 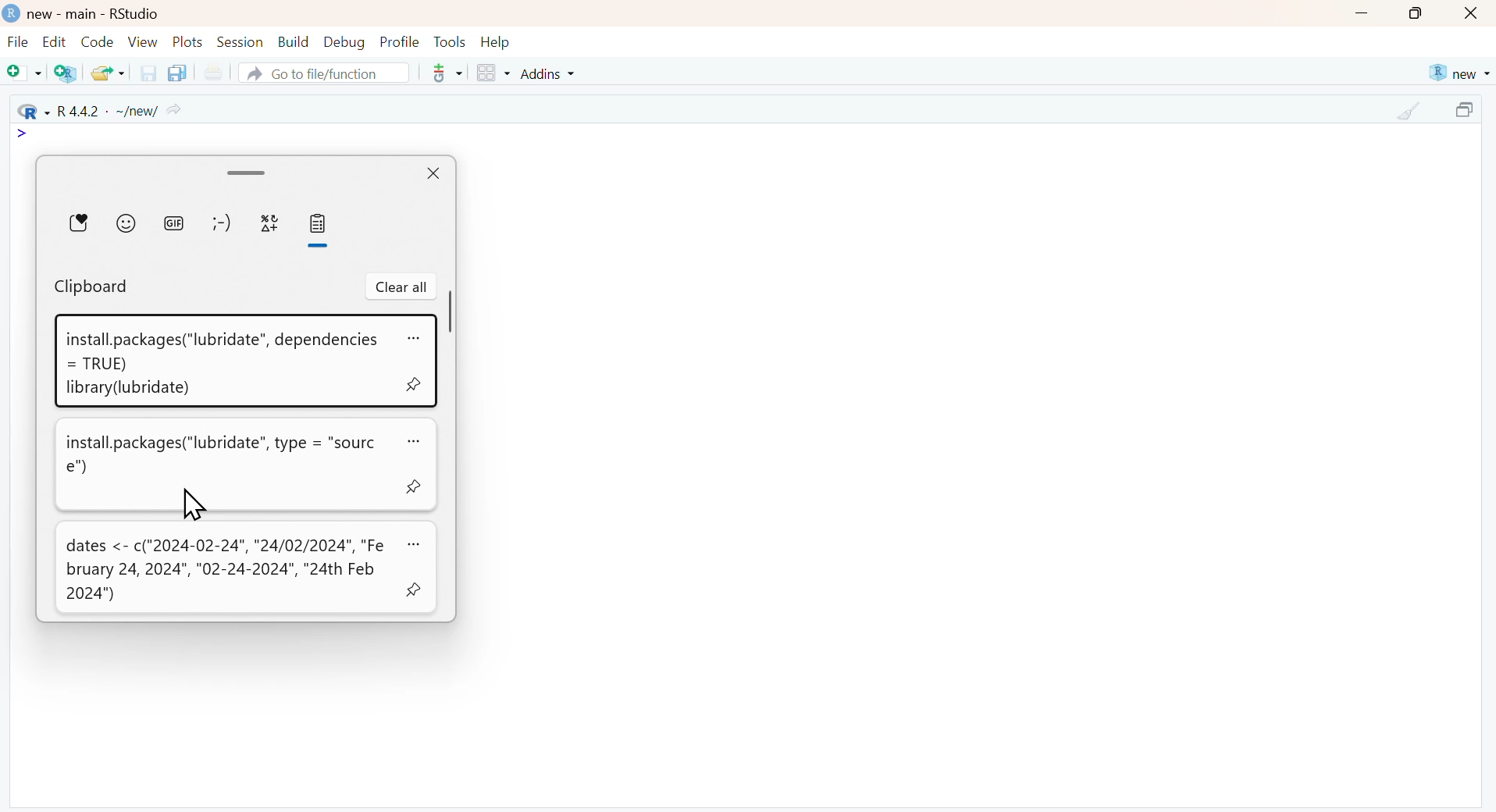 What do you see at coordinates (212, 73) in the screenshot?
I see `print` at bounding box center [212, 73].